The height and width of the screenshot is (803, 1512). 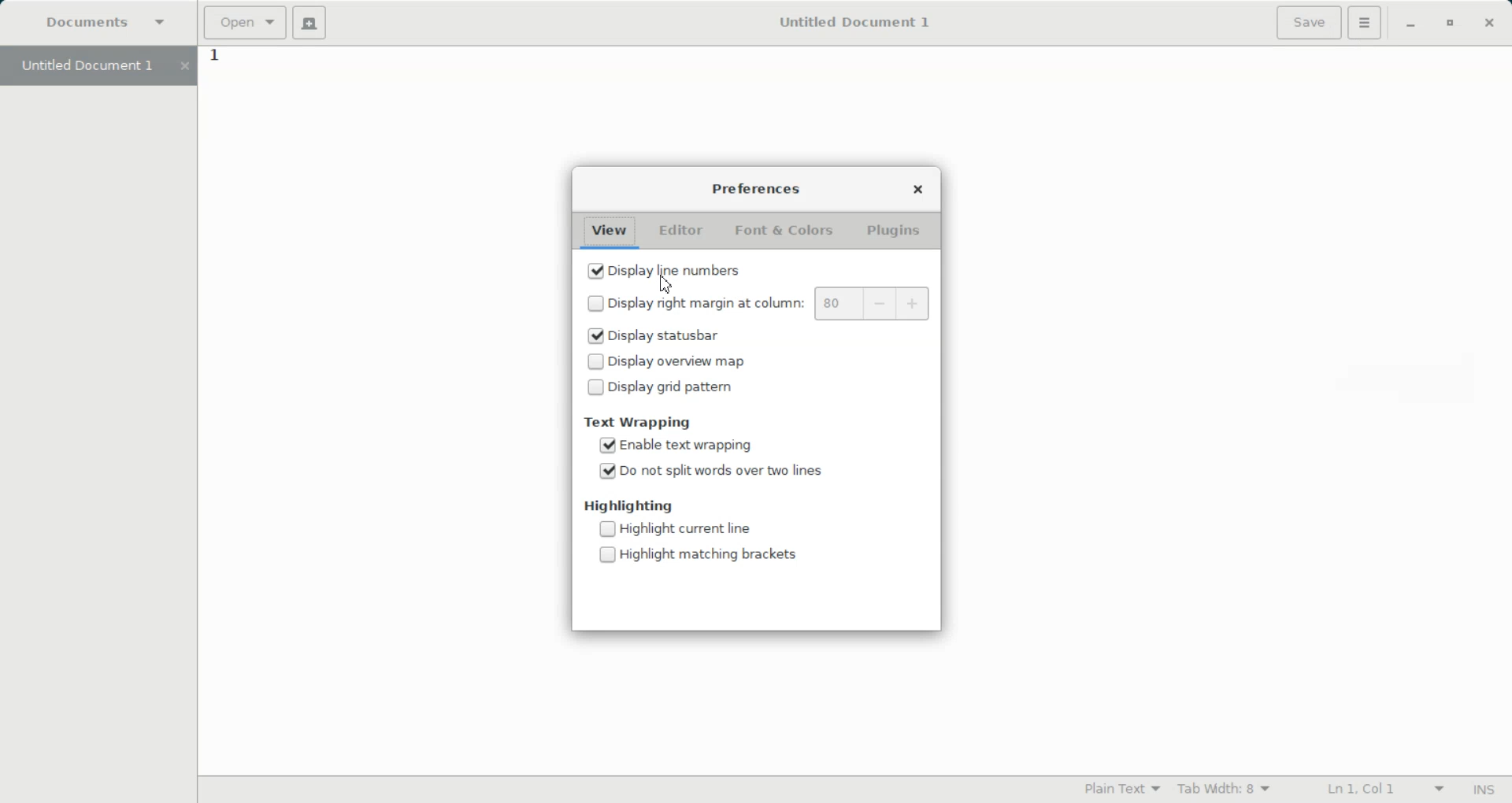 What do you see at coordinates (713, 270) in the screenshot?
I see `(un)check Enable Display line number` at bounding box center [713, 270].